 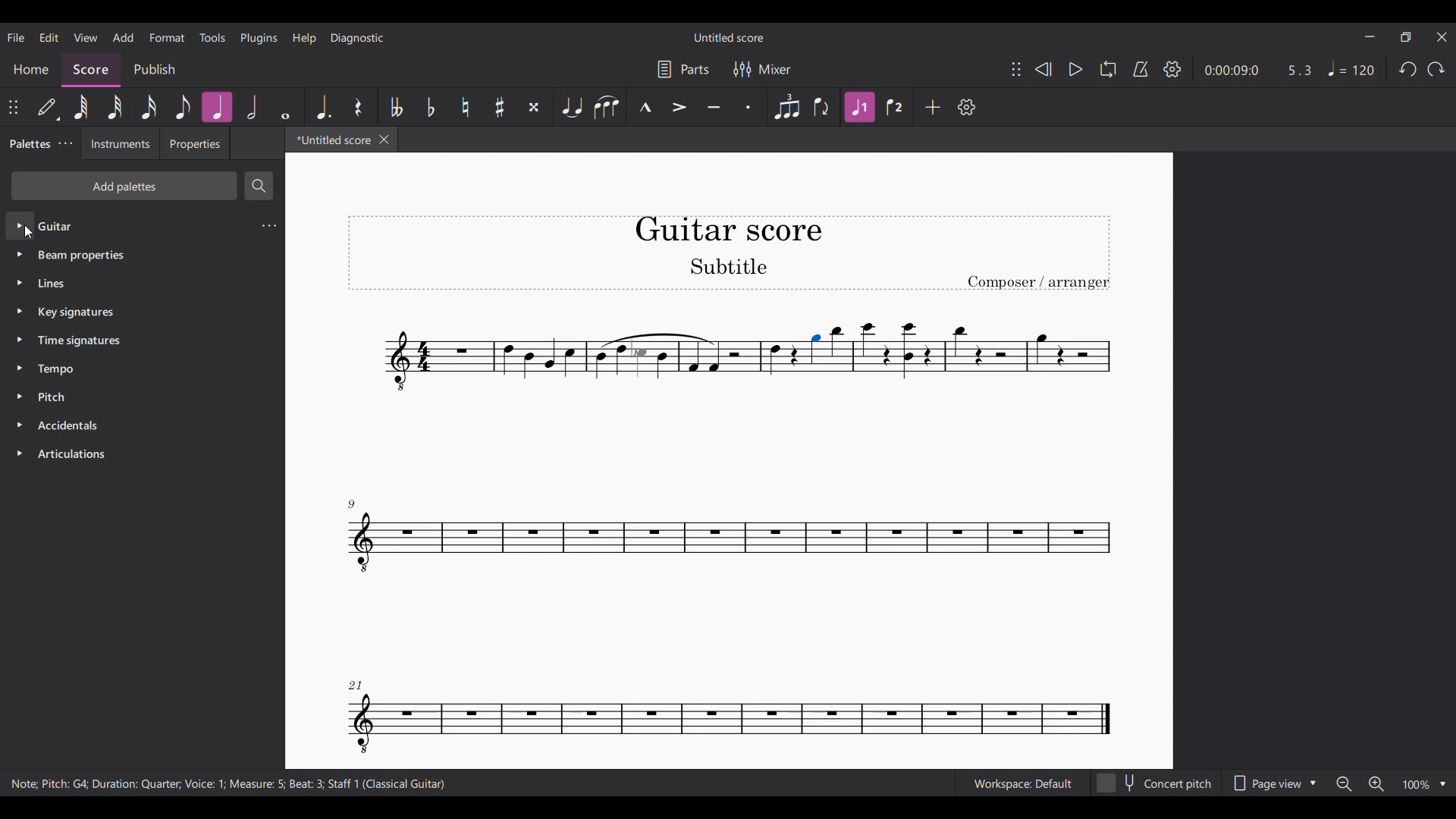 What do you see at coordinates (896, 107) in the screenshot?
I see `Voice 2` at bounding box center [896, 107].